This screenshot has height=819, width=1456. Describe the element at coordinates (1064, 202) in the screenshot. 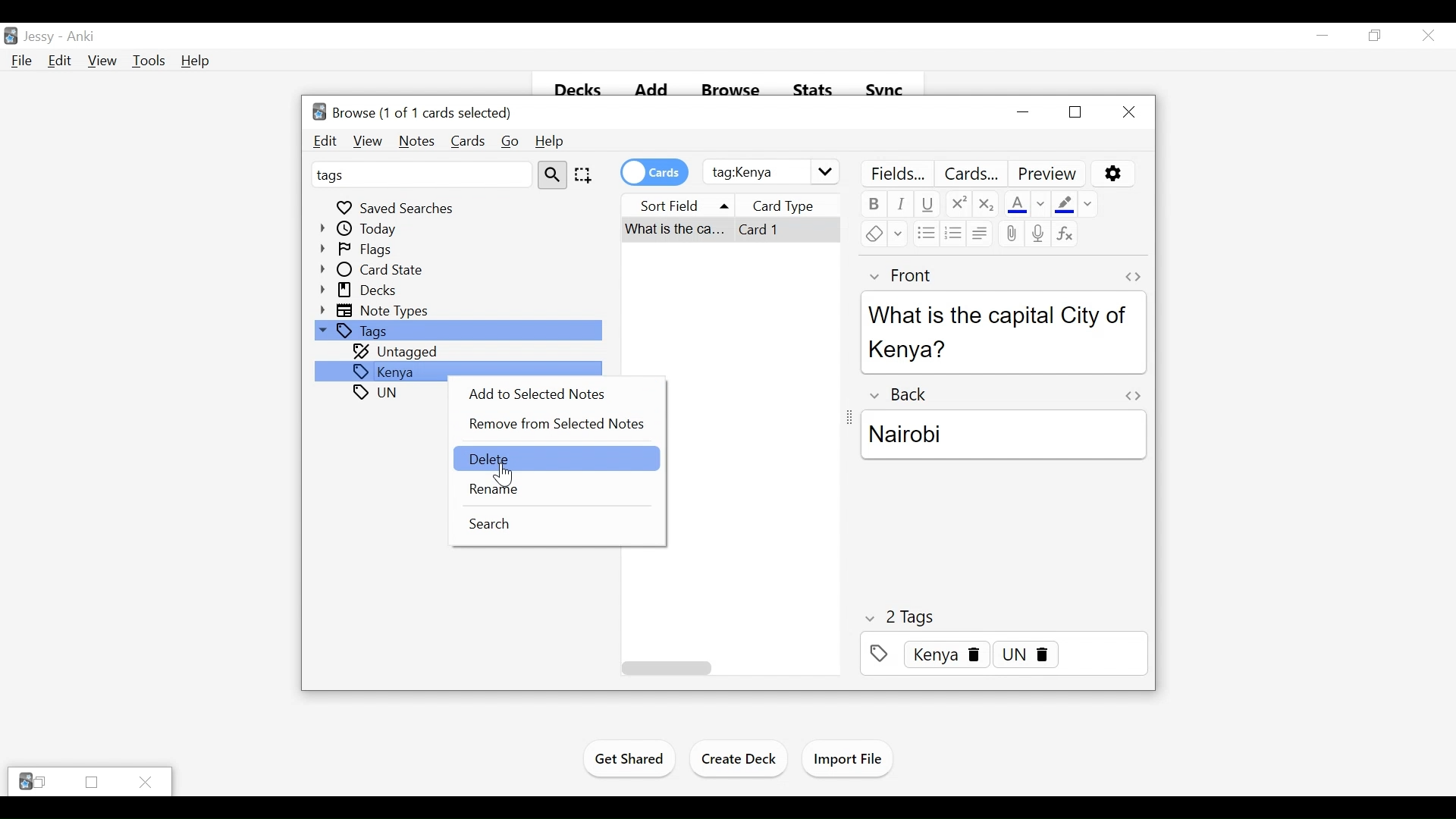

I see `Text Higlight Color` at that location.